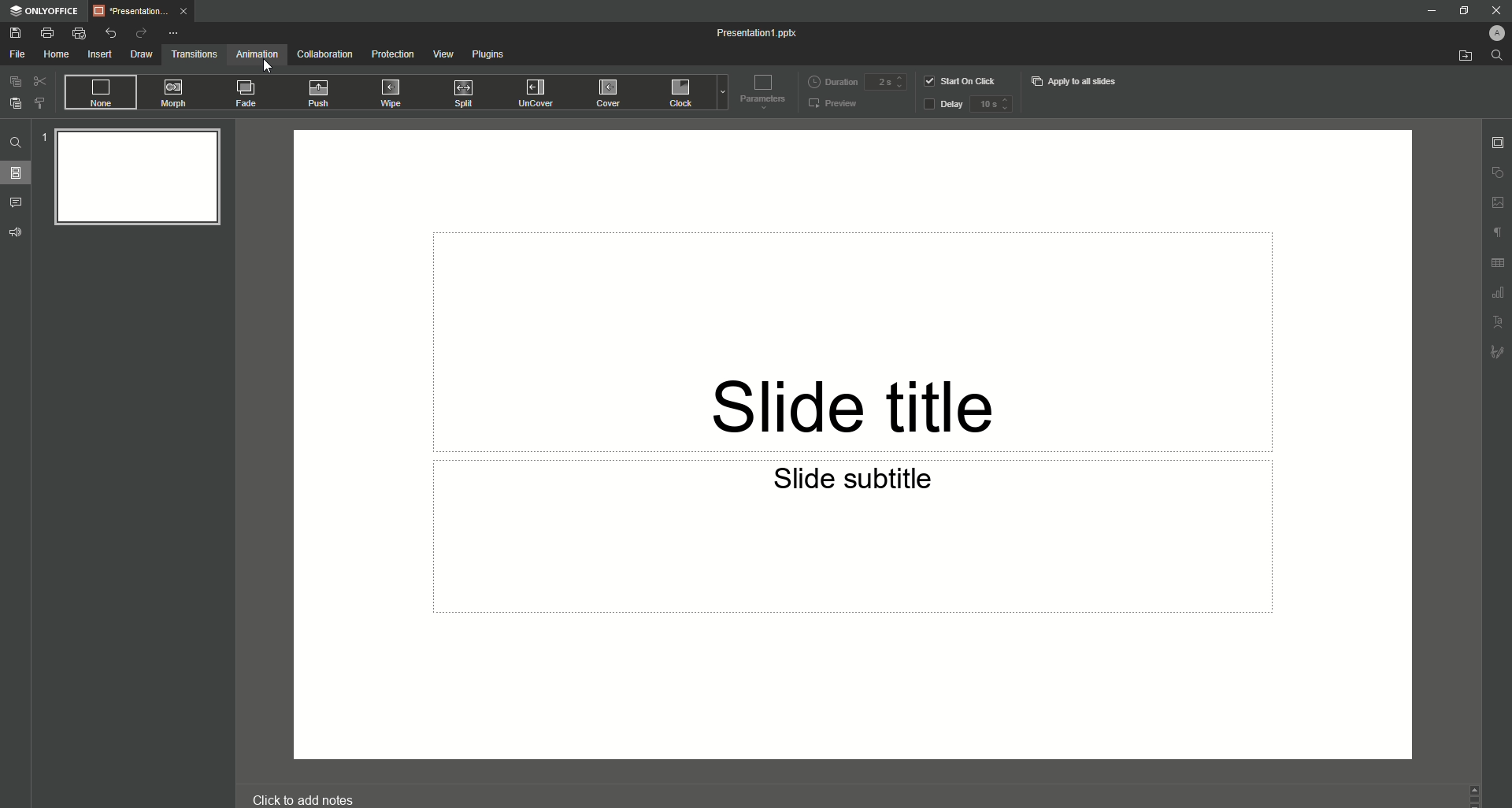  I want to click on Signature, so click(1495, 354).